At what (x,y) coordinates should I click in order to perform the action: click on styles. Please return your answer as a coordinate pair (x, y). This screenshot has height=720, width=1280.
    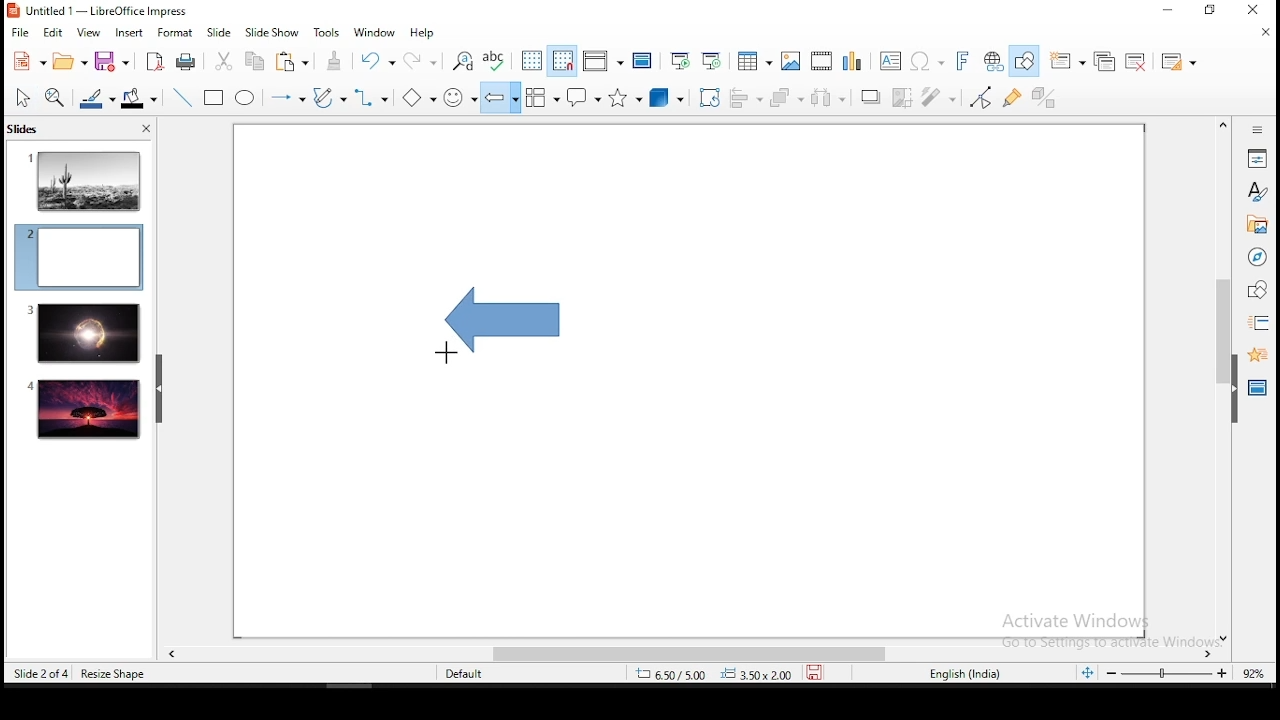
    Looking at the image, I should click on (1257, 191).